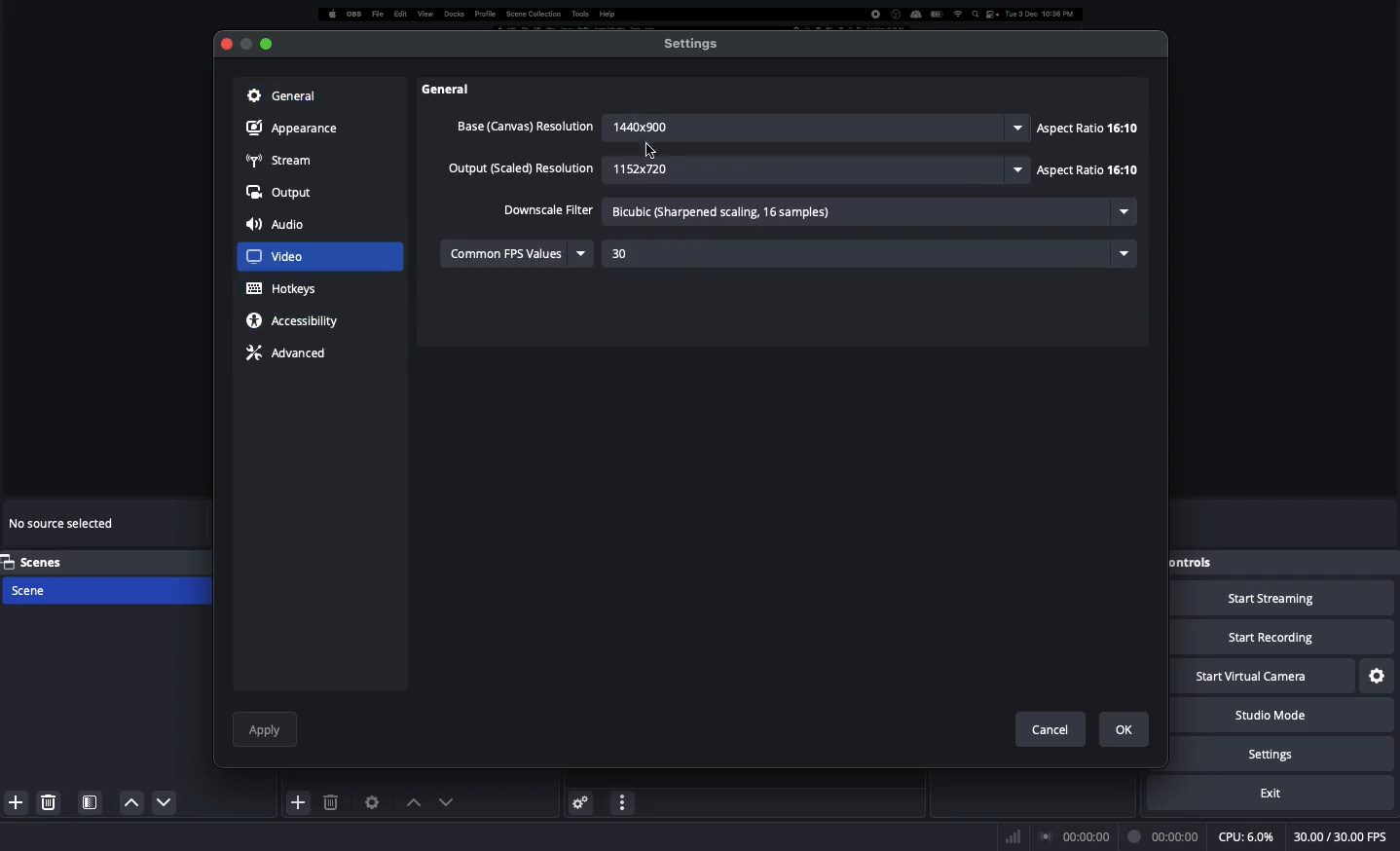  Describe the element at coordinates (279, 159) in the screenshot. I see `Stream` at that location.